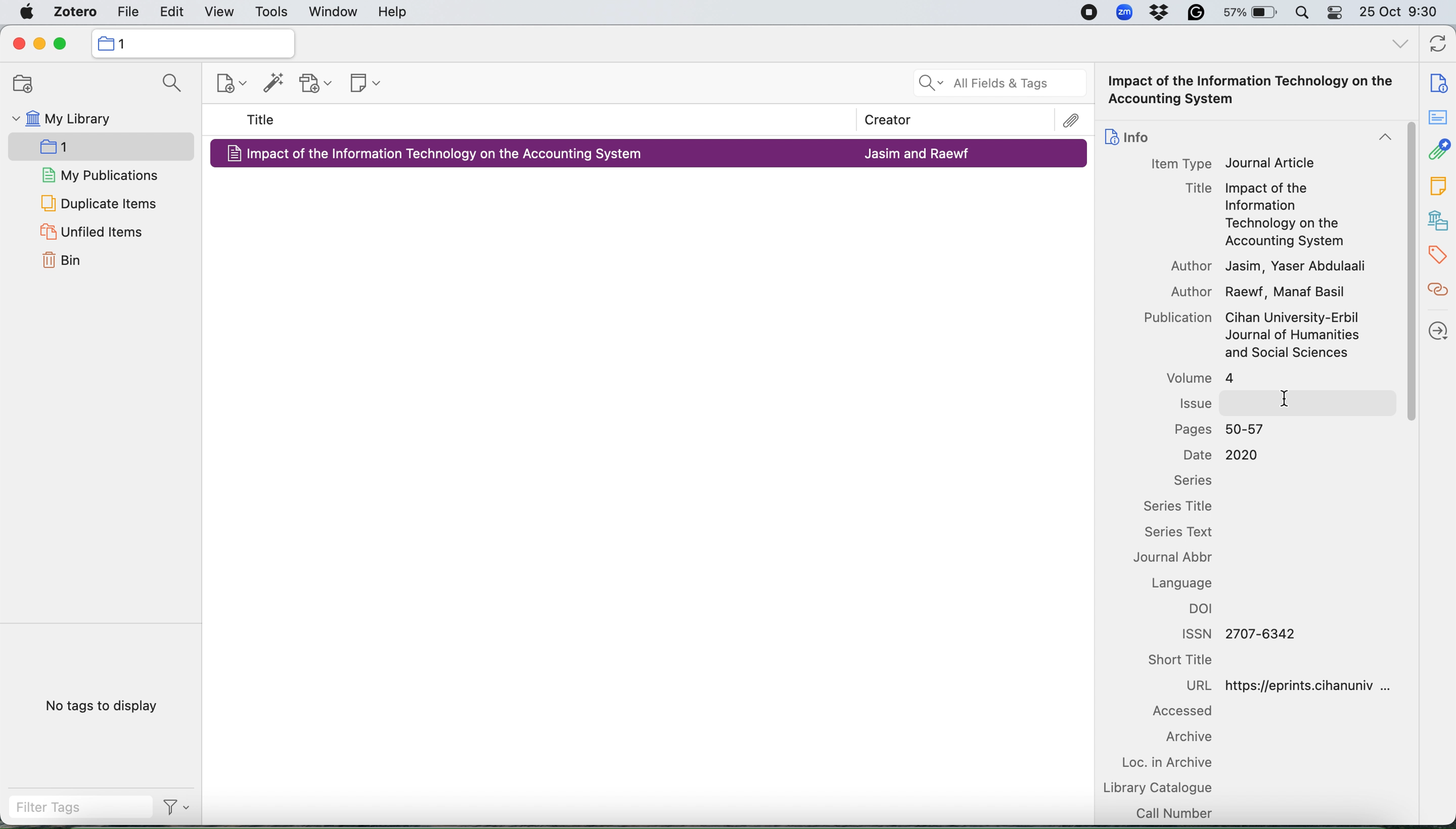  Describe the element at coordinates (1379, 139) in the screenshot. I see `collapse` at that location.